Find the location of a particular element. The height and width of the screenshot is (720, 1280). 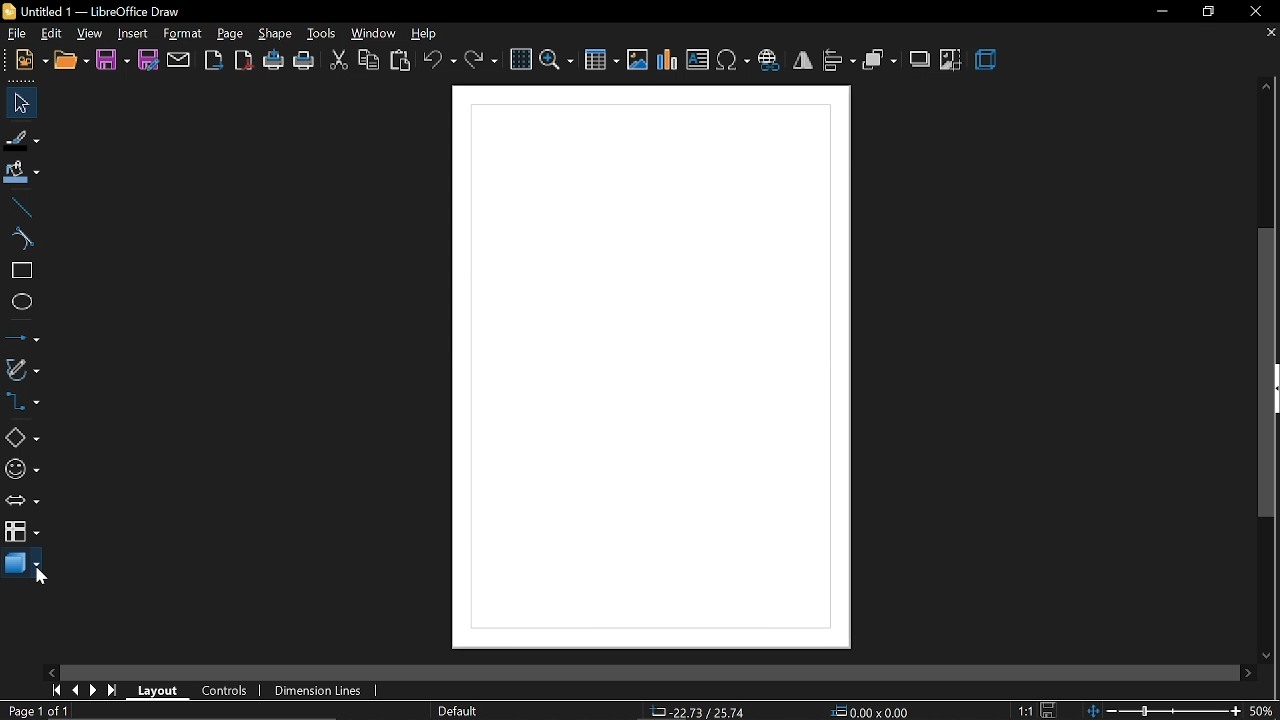

undo is located at coordinates (442, 62).